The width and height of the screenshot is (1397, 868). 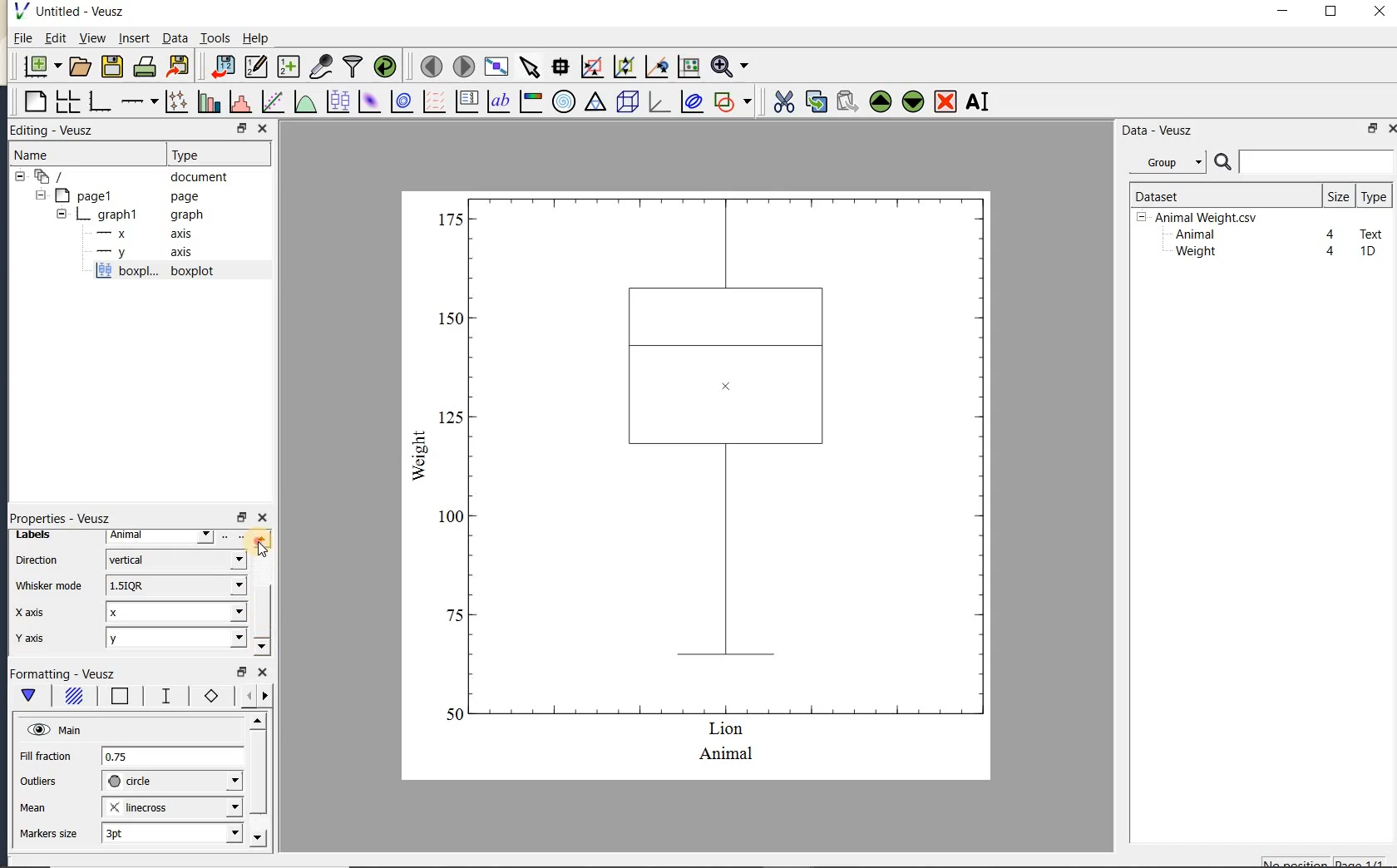 What do you see at coordinates (216, 37) in the screenshot?
I see `Tools` at bounding box center [216, 37].